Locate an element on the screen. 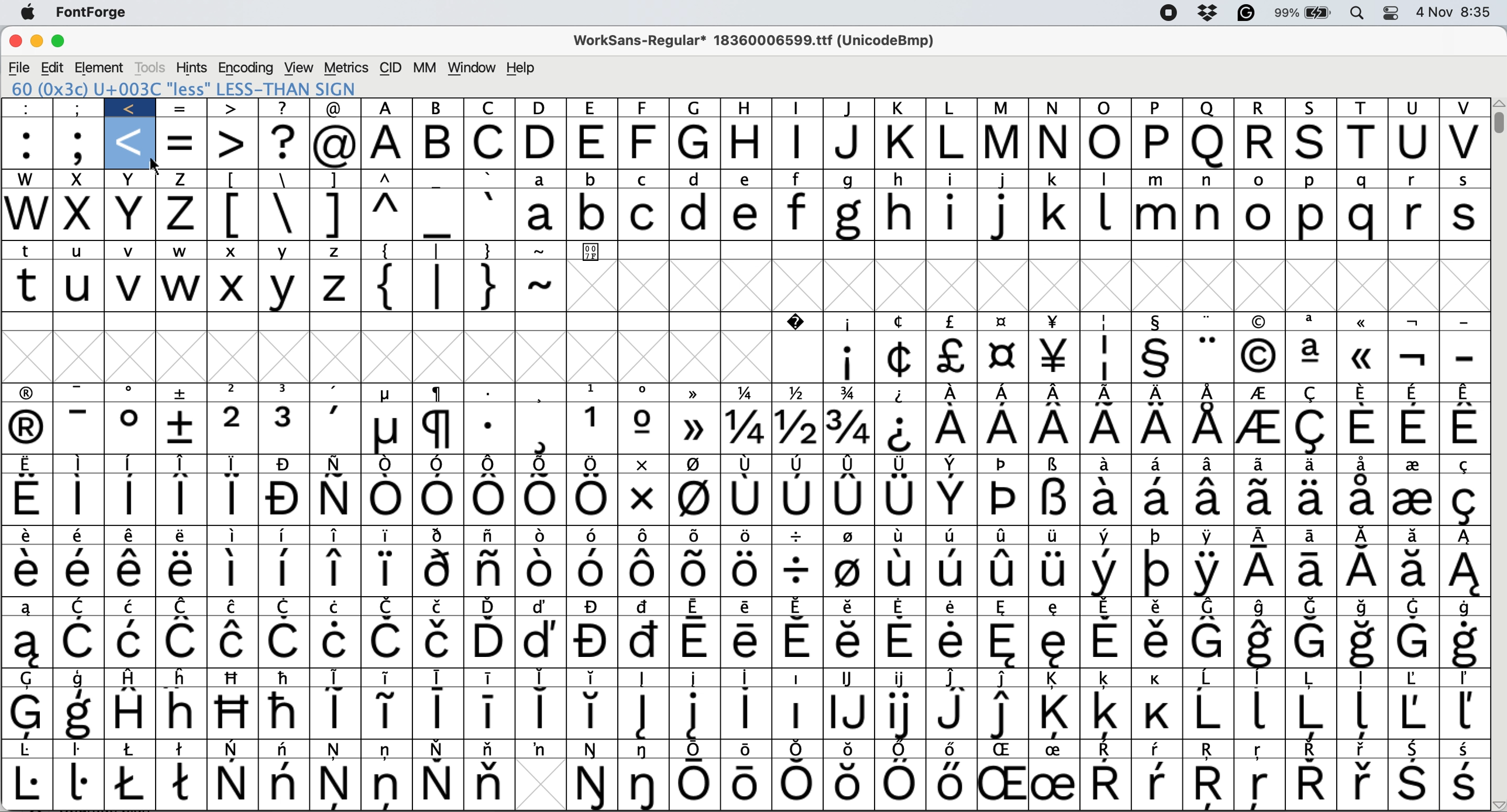 The height and width of the screenshot is (812, 1507). Symbol is located at coordinates (235, 536).